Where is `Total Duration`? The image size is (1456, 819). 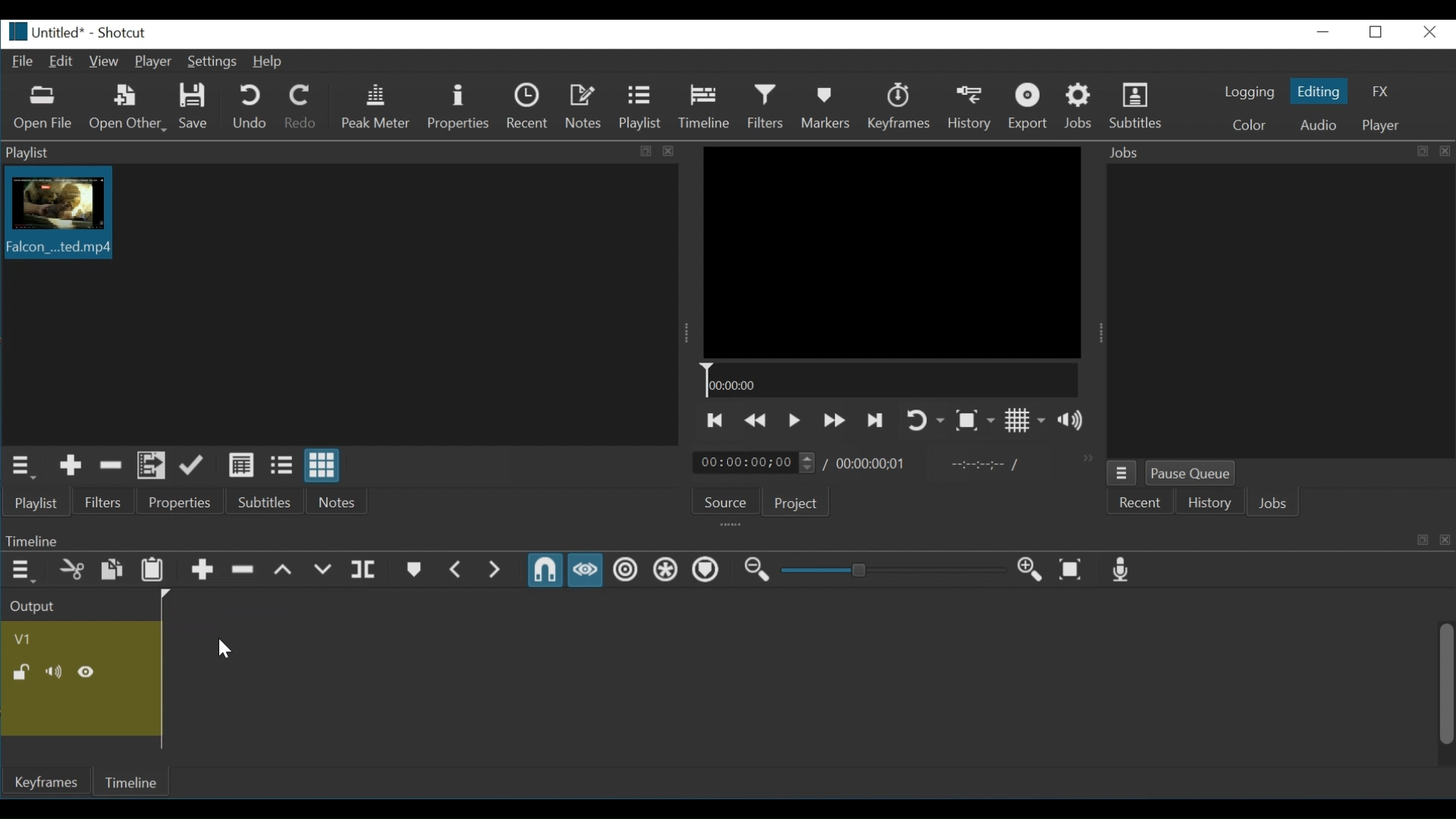 Total Duration is located at coordinates (871, 465).